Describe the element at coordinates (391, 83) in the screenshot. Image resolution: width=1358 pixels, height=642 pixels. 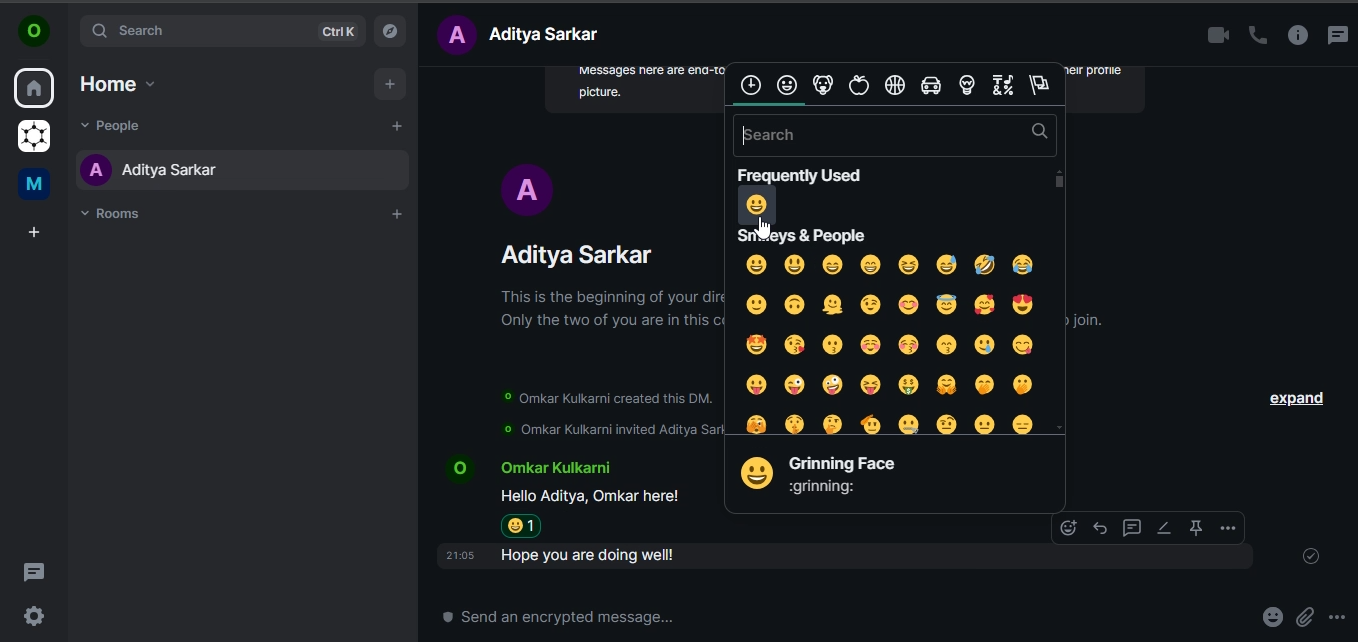
I see `add` at that location.